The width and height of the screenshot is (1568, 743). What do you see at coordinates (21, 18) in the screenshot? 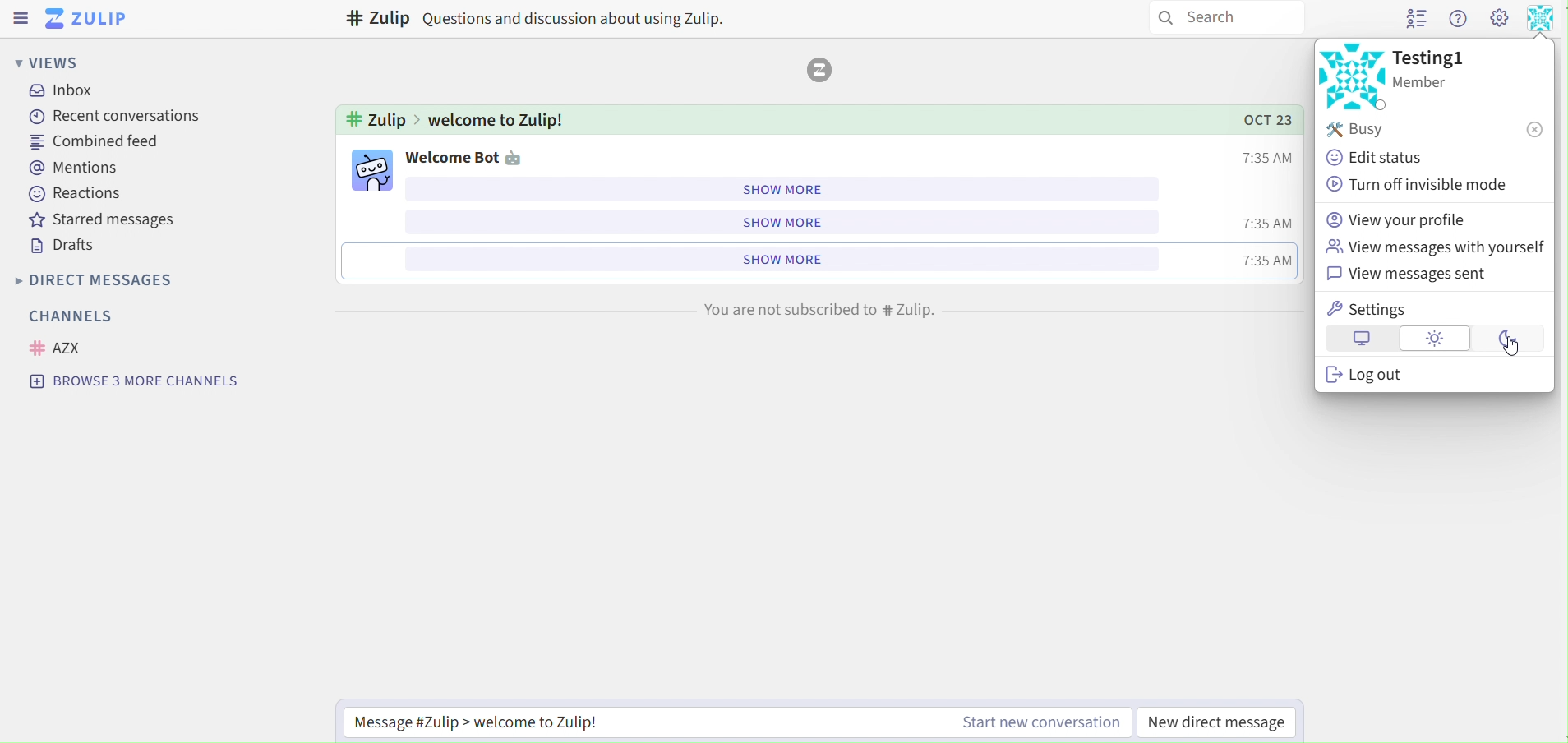
I see `sidebar` at bounding box center [21, 18].